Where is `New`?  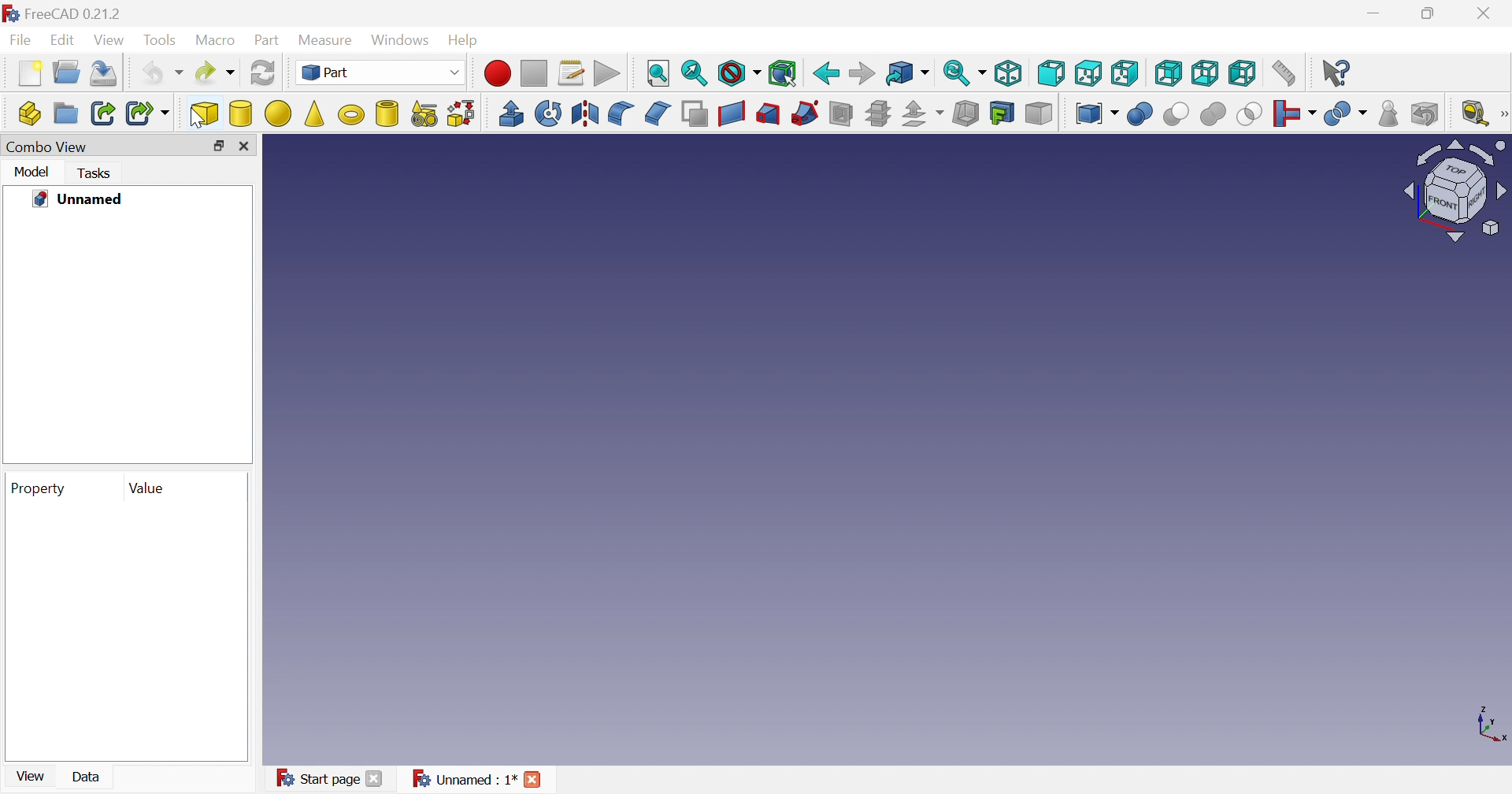
New is located at coordinates (28, 72).